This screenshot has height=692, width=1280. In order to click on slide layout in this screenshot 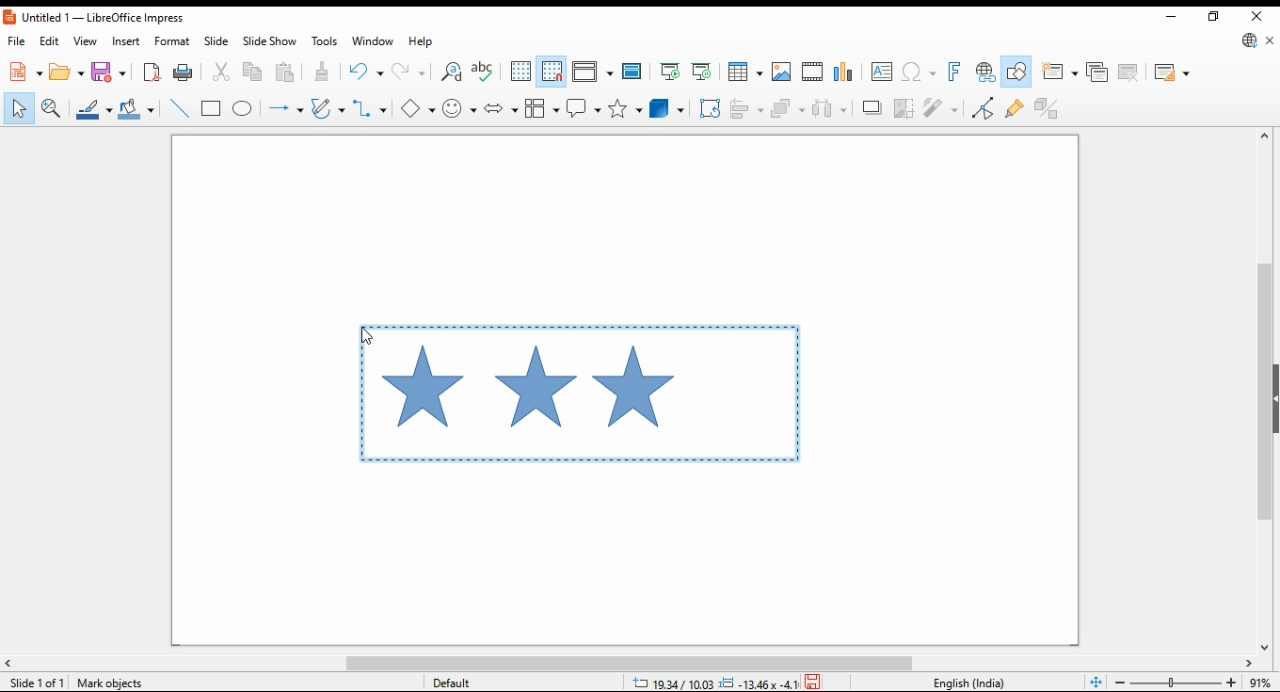, I will do `click(1173, 73)`.